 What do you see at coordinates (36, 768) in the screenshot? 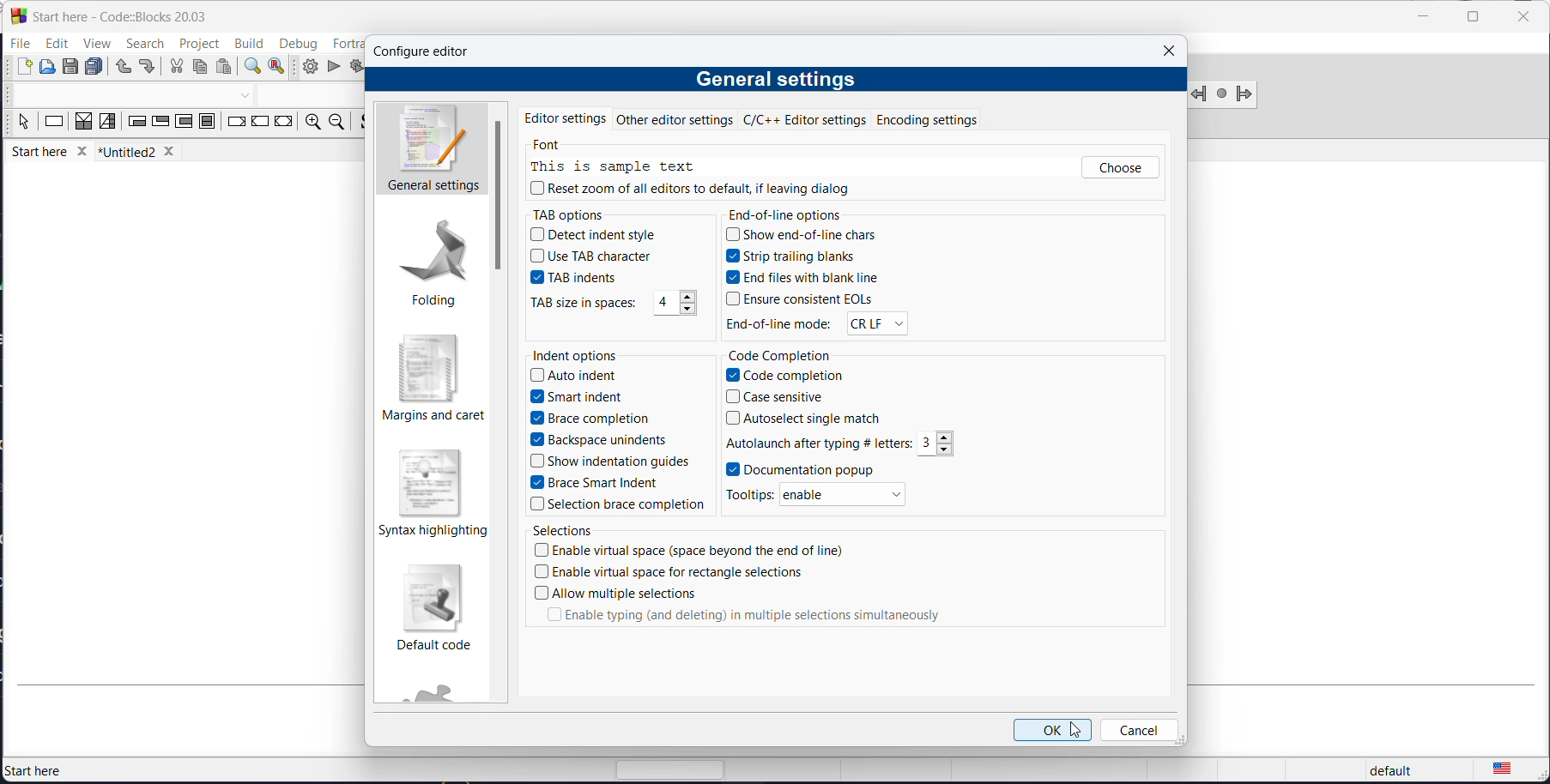
I see `start here` at bounding box center [36, 768].